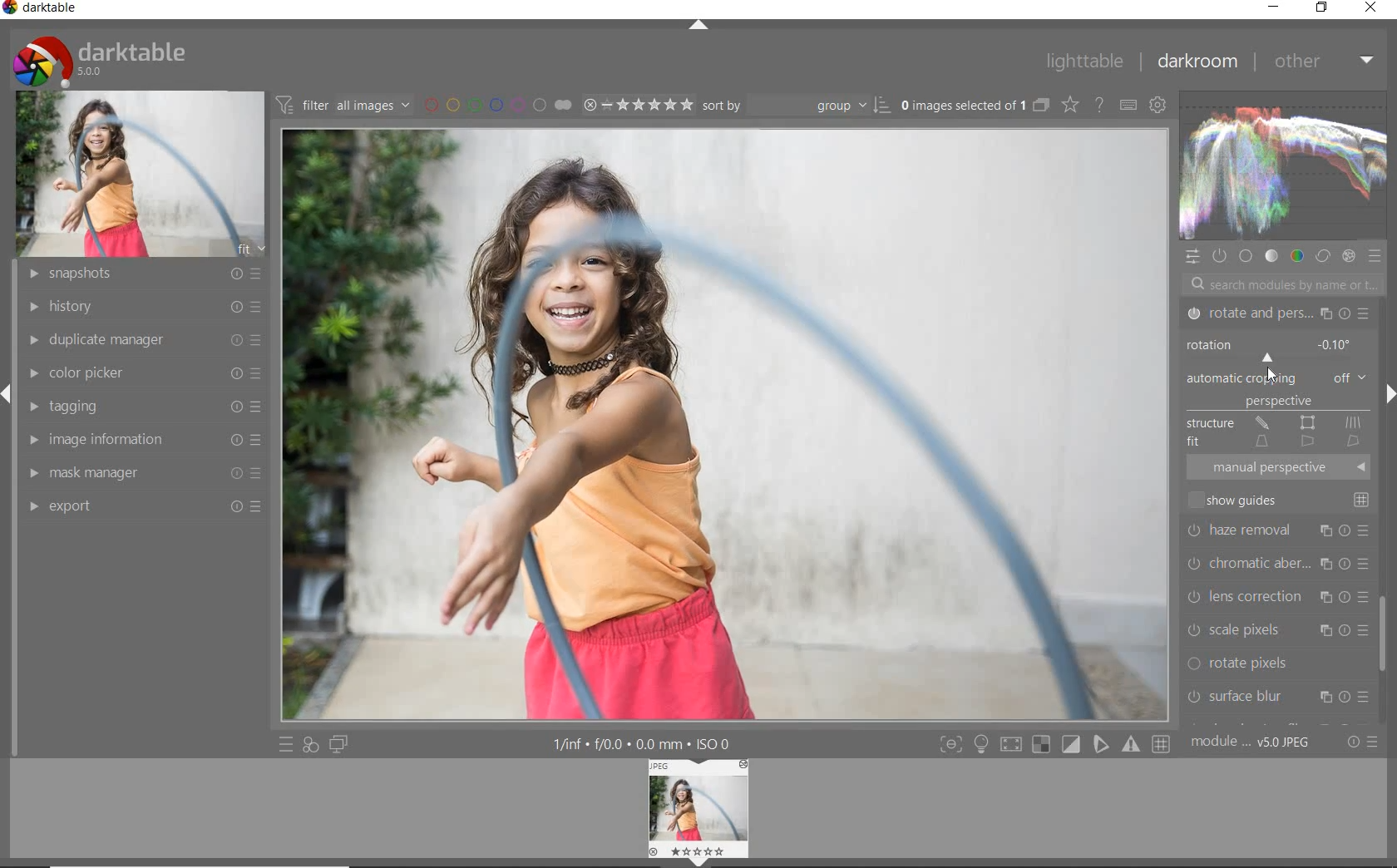 This screenshot has width=1397, height=868. Describe the element at coordinates (1041, 106) in the screenshot. I see `collapse grouped images` at that location.